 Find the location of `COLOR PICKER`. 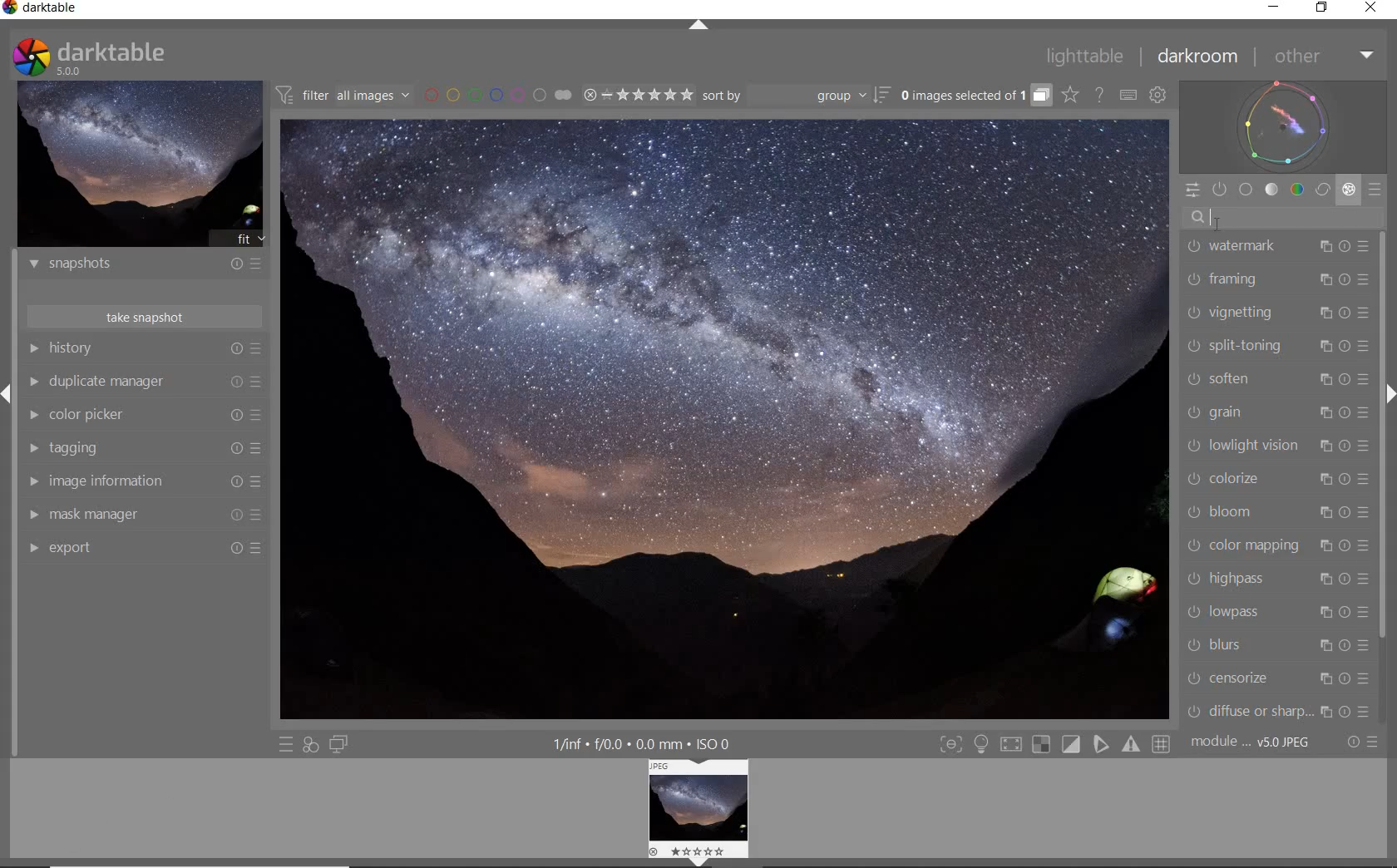

COLOR PICKER is located at coordinates (32, 413).